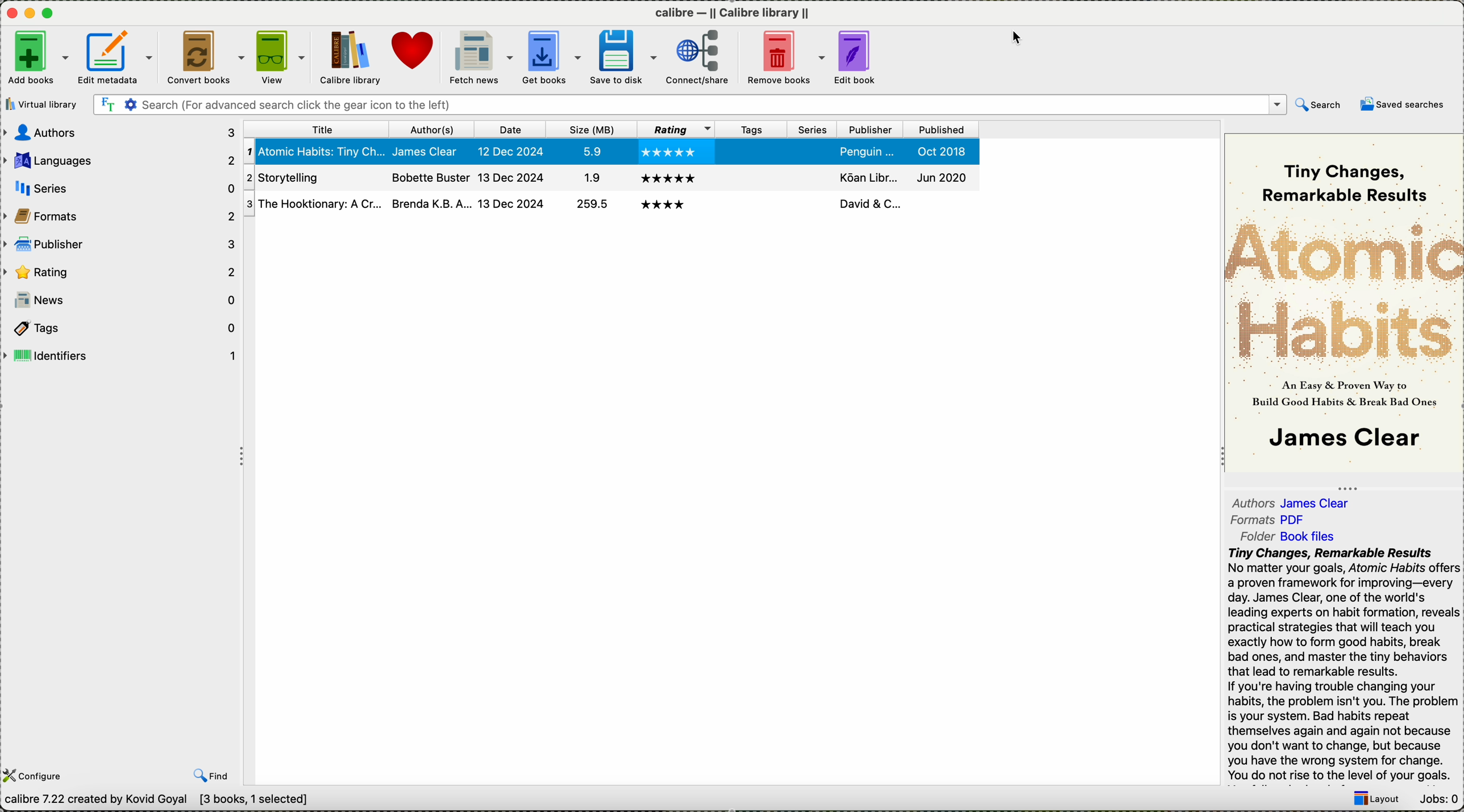  Describe the element at coordinates (870, 128) in the screenshot. I see `publisher` at that location.